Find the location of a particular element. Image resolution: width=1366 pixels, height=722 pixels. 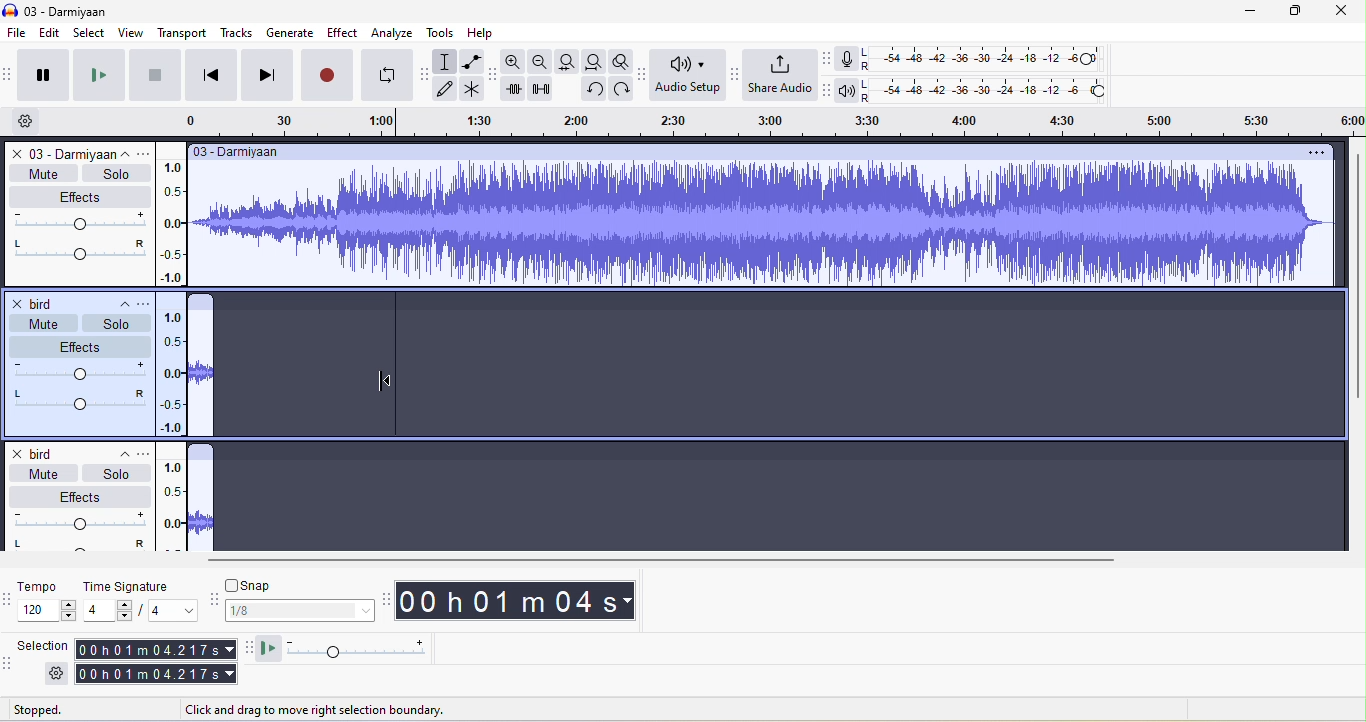

skip to start is located at coordinates (210, 74).